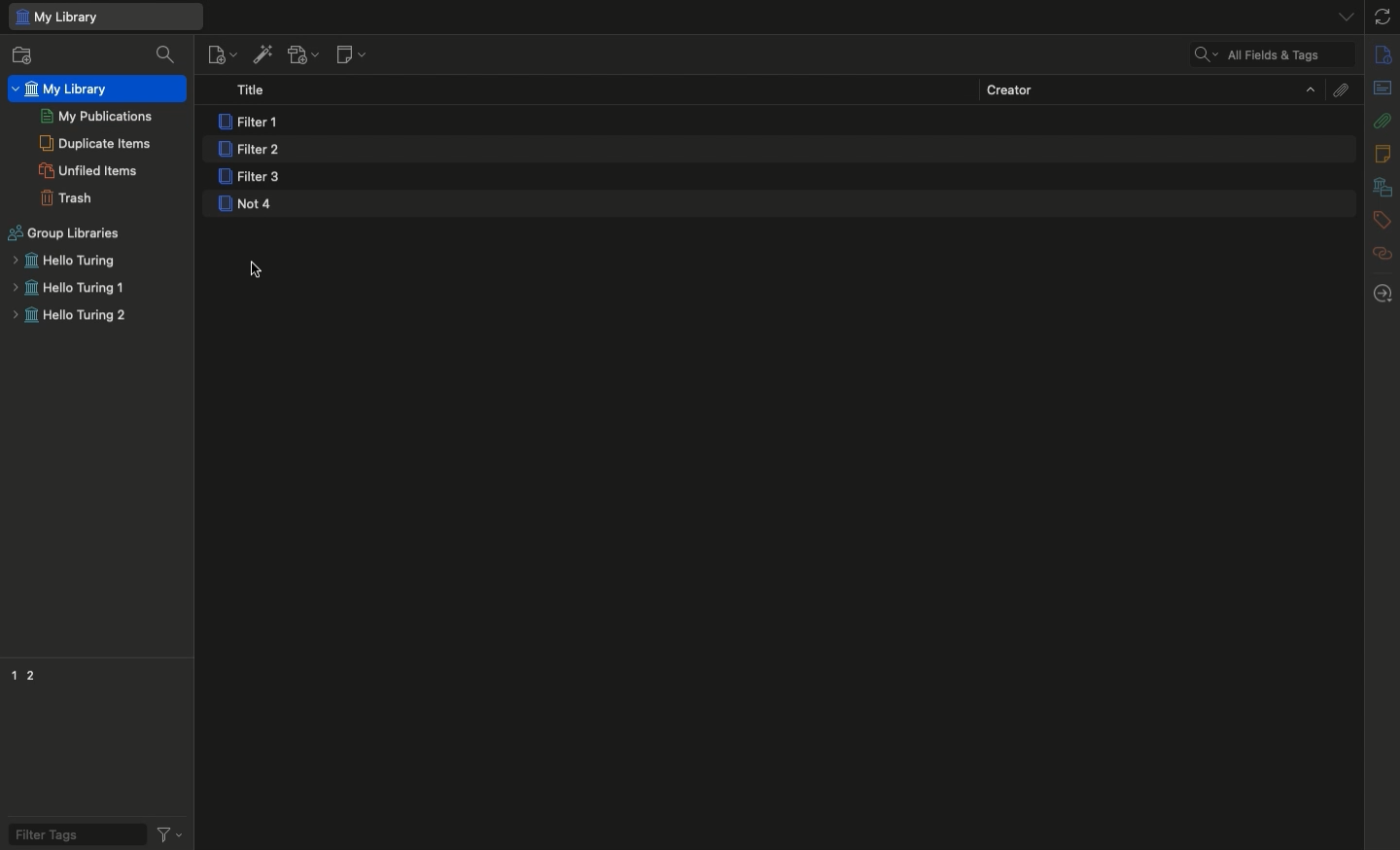 Image resolution: width=1400 pixels, height=850 pixels. Describe the element at coordinates (301, 56) in the screenshot. I see `Add attachment` at that location.